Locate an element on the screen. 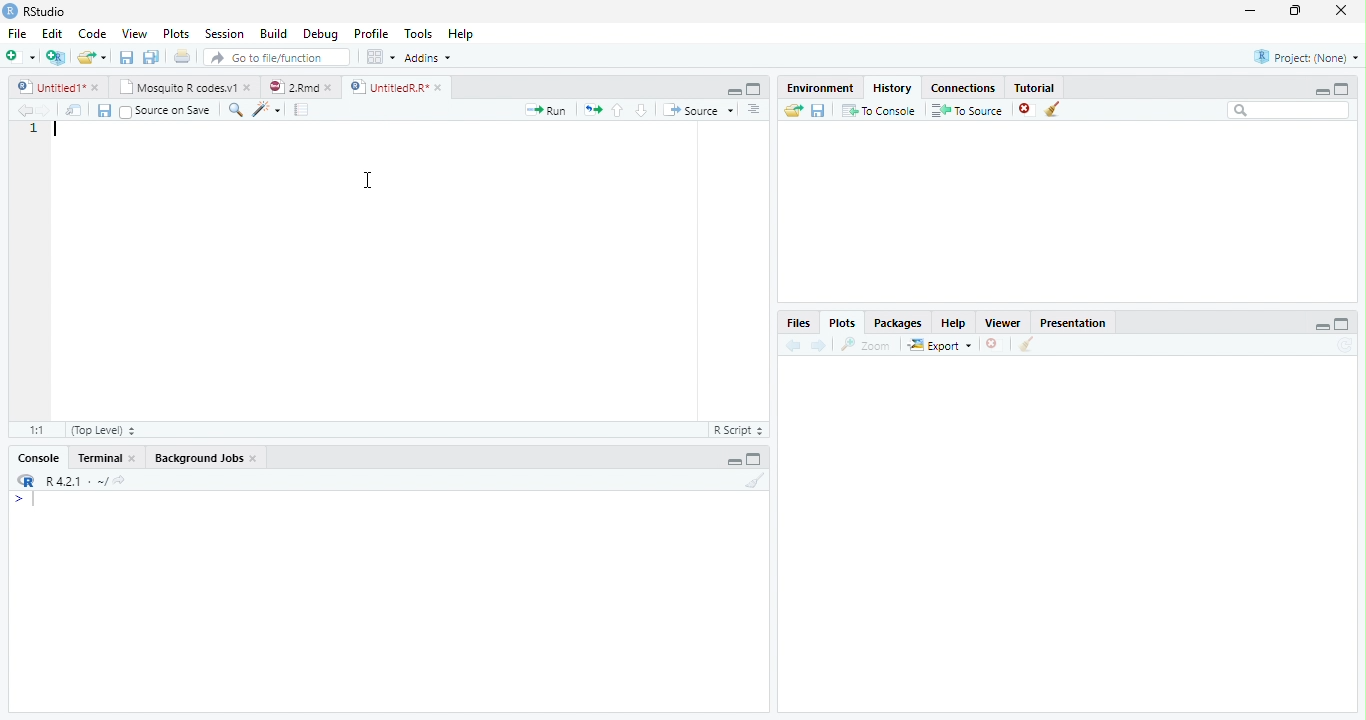 This screenshot has height=720, width=1366. close is located at coordinates (1342, 10).